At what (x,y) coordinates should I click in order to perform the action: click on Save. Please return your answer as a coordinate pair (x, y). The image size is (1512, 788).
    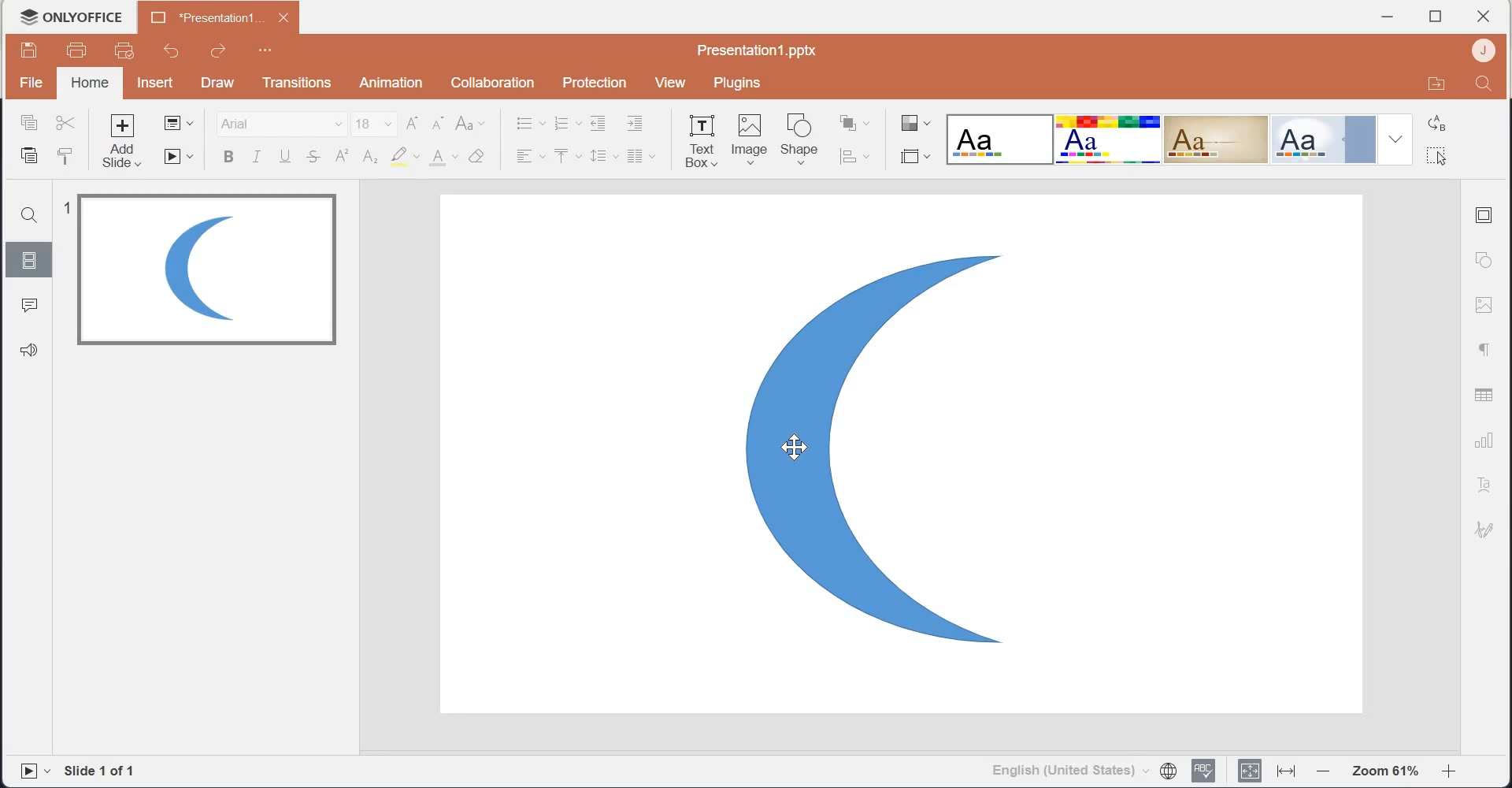
    Looking at the image, I should click on (32, 50).